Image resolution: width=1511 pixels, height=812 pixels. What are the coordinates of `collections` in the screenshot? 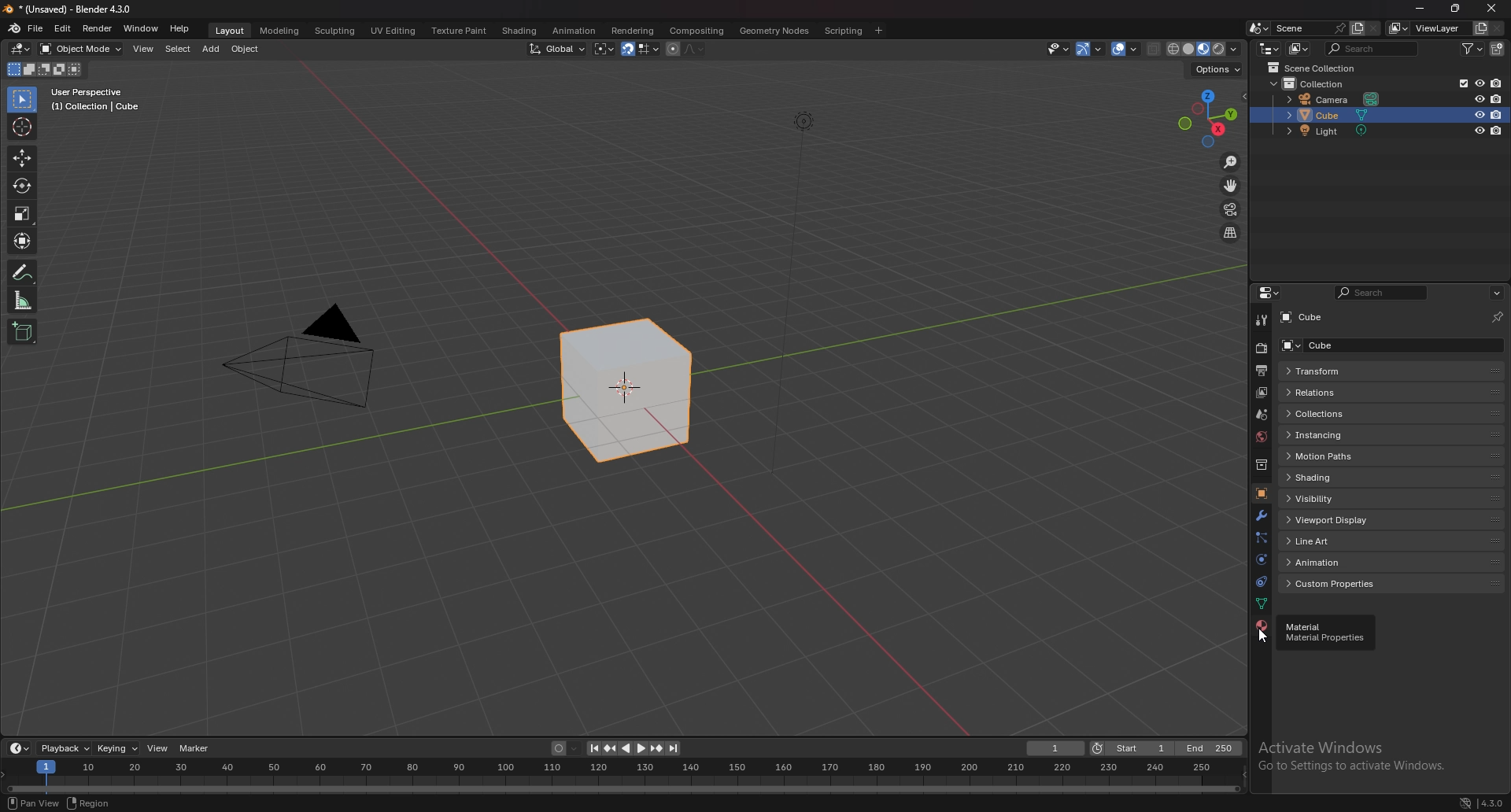 It's located at (1390, 414).